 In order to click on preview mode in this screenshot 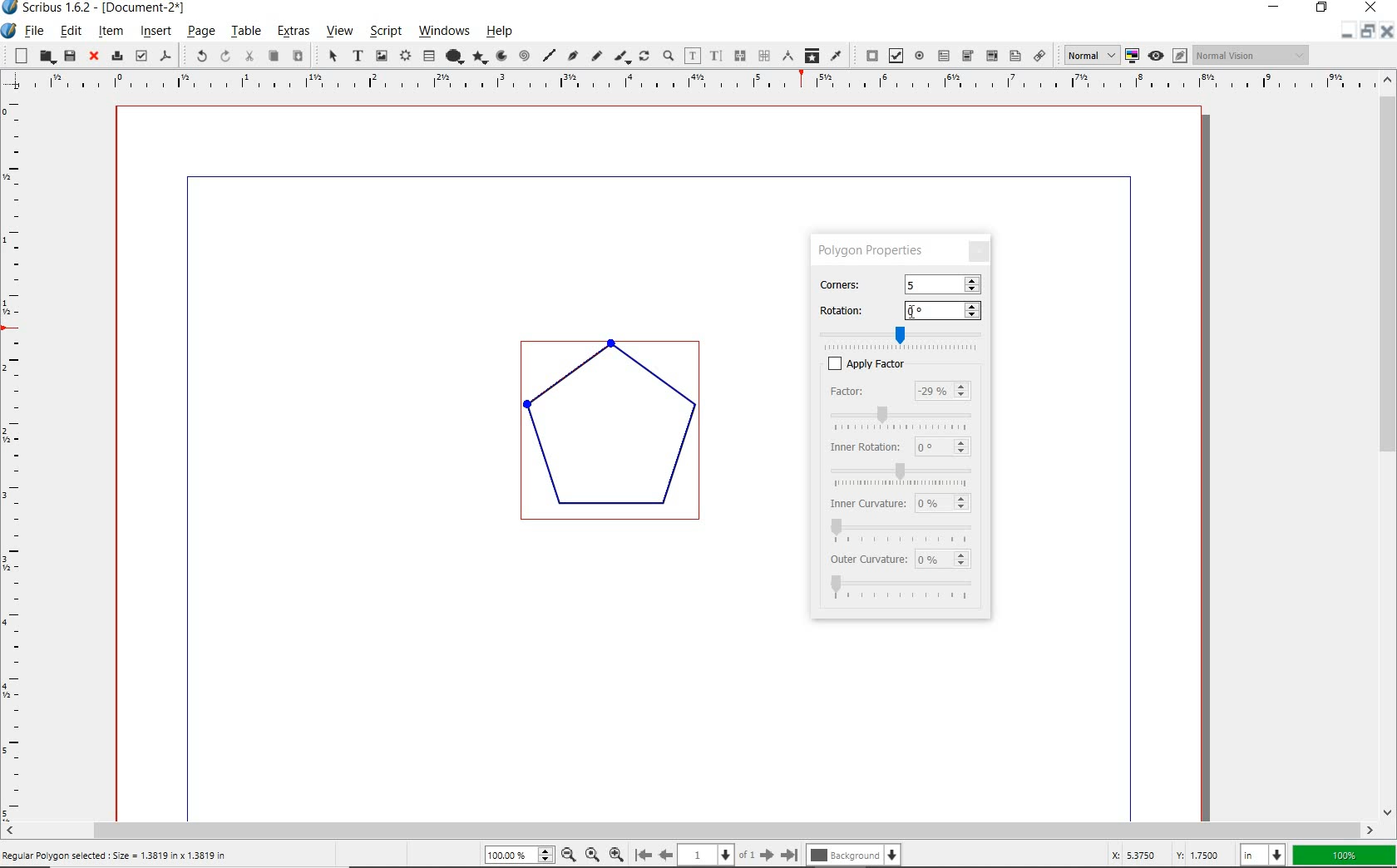, I will do `click(1167, 56)`.